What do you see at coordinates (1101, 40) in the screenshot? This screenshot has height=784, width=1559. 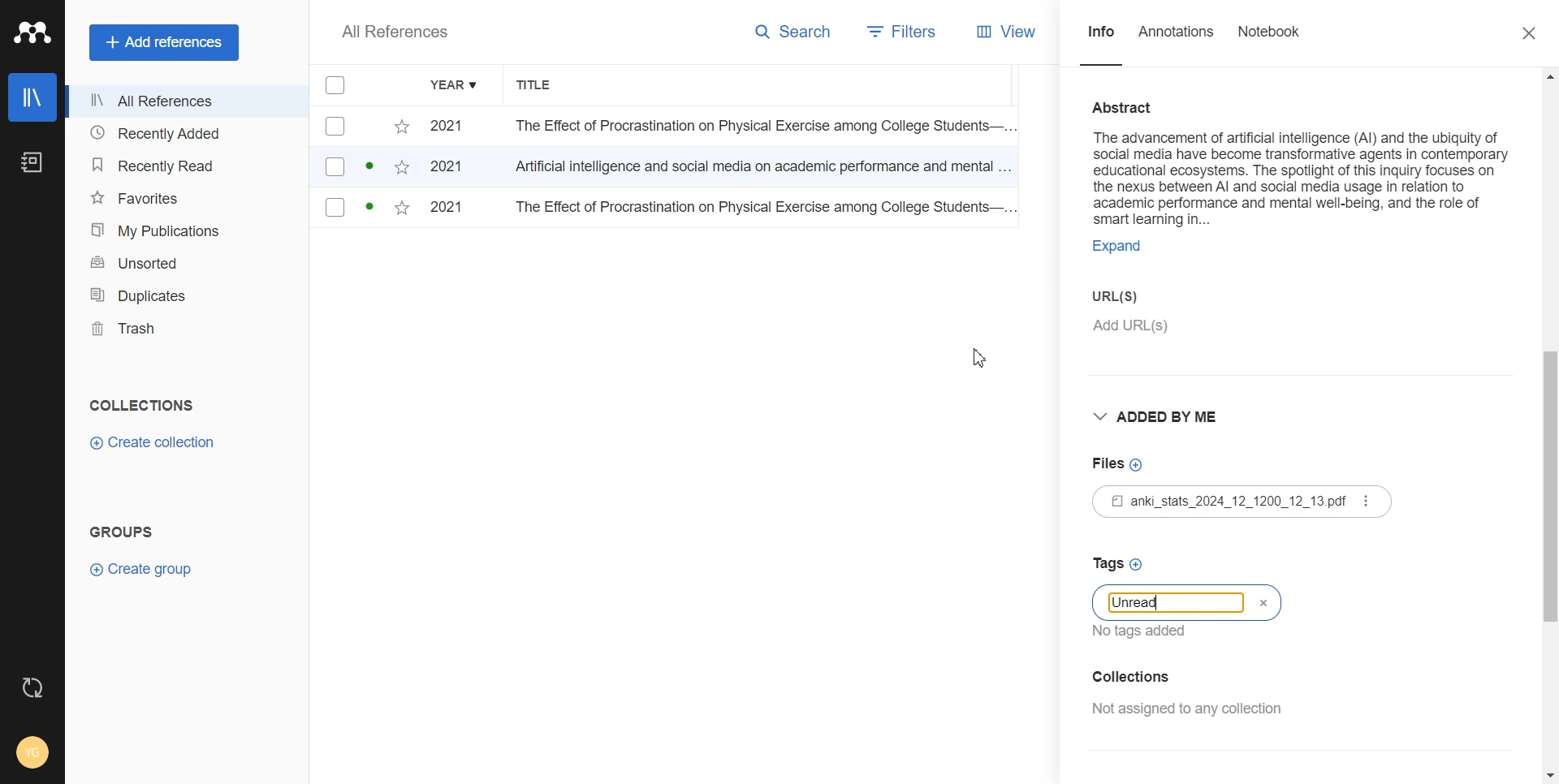 I see `Info` at bounding box center [1101, 40].